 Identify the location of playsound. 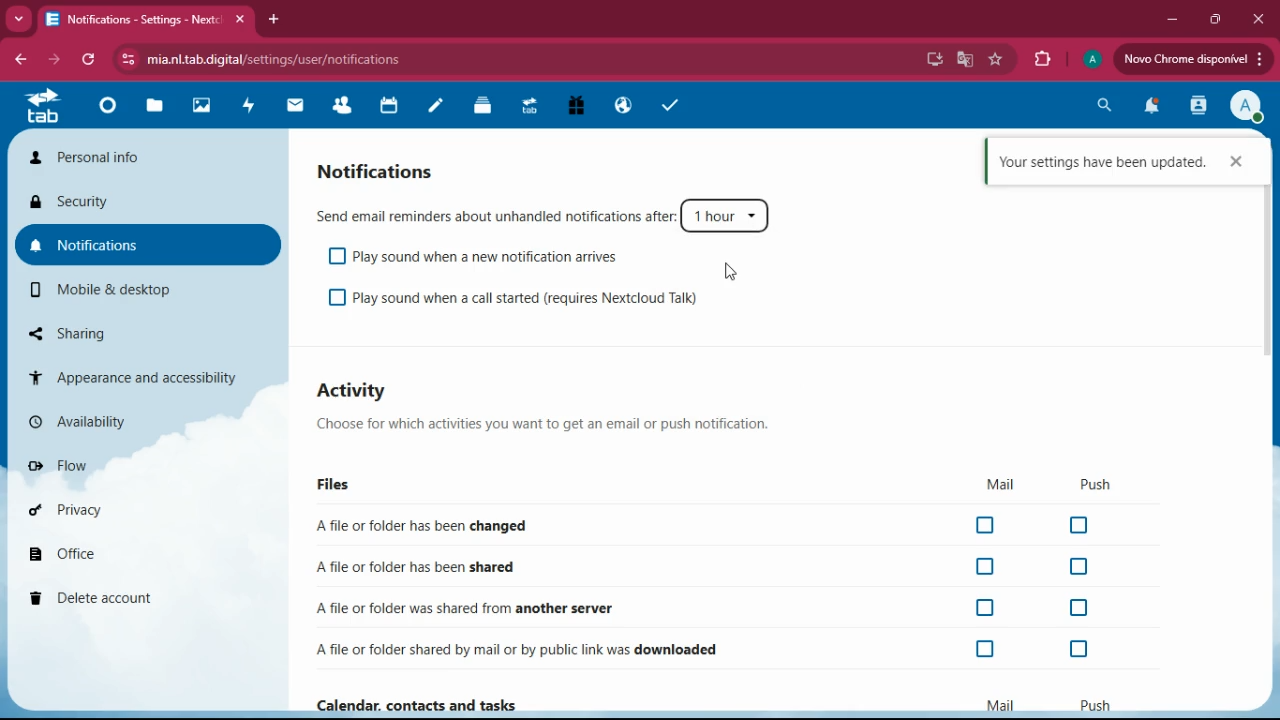
(496, 256).